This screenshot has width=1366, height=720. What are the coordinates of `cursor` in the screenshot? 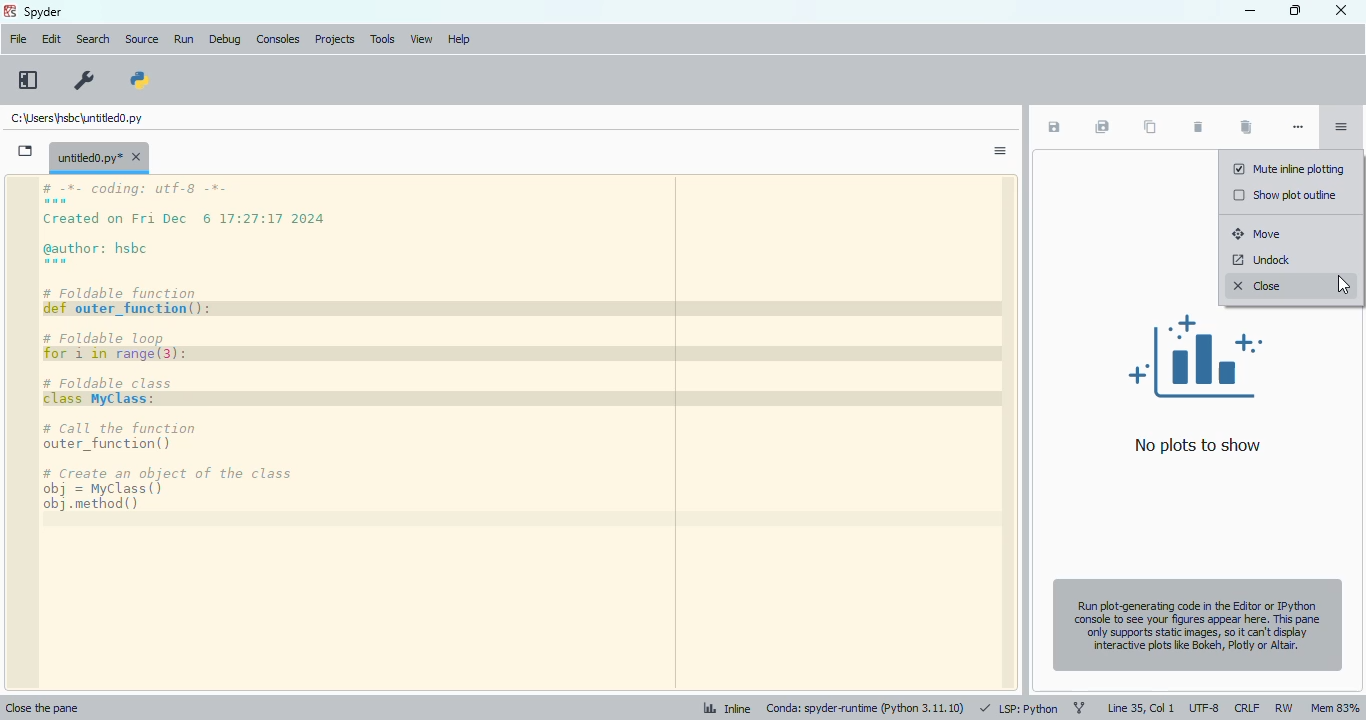 It's located at (1344, 284).